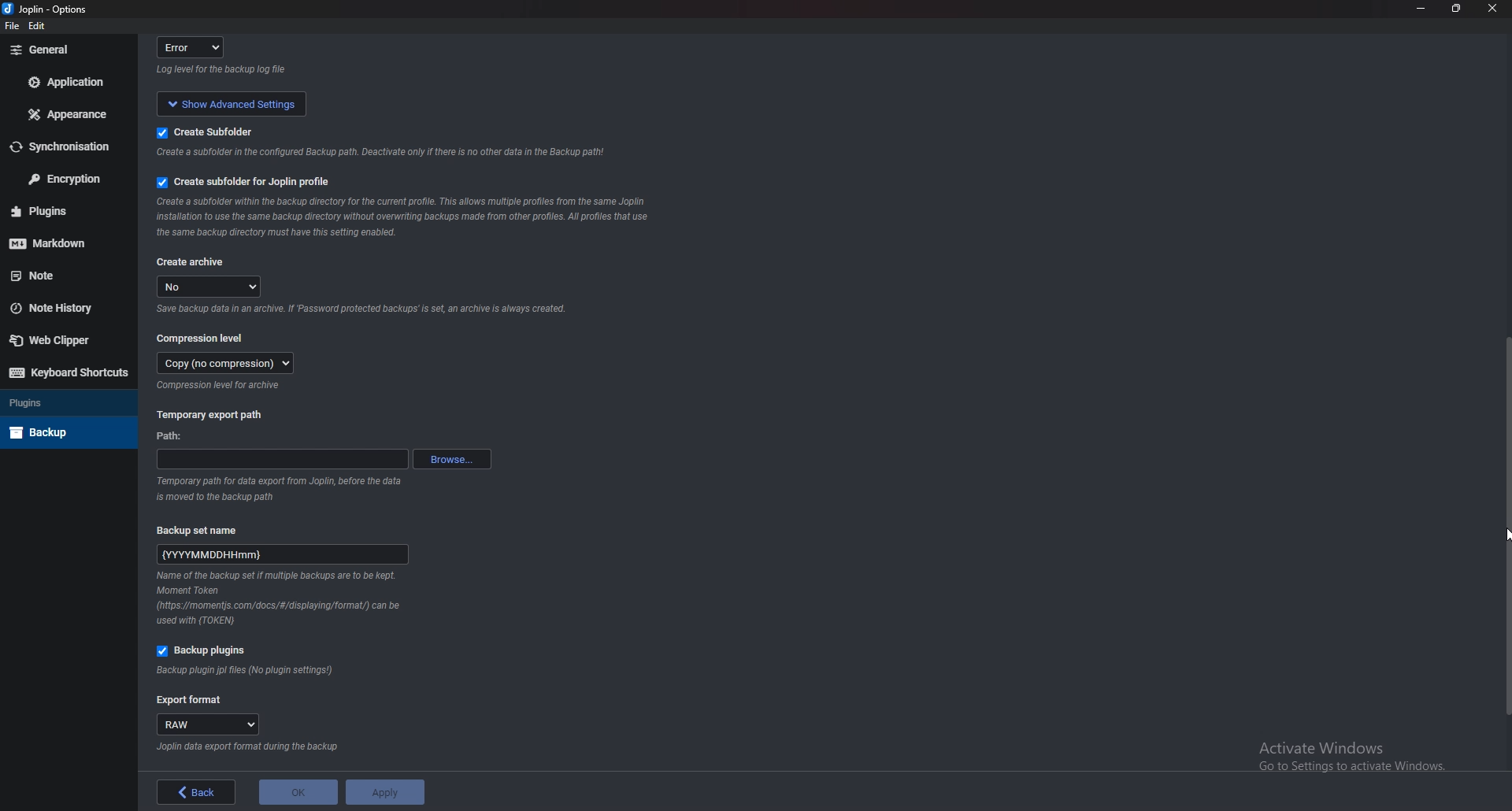 Image resolution: width=1512 pixels, height=811 pixels. What do you see at coordinates (281, 599) in the screenshot?
I see `Info` at bounding box center [281, 599].